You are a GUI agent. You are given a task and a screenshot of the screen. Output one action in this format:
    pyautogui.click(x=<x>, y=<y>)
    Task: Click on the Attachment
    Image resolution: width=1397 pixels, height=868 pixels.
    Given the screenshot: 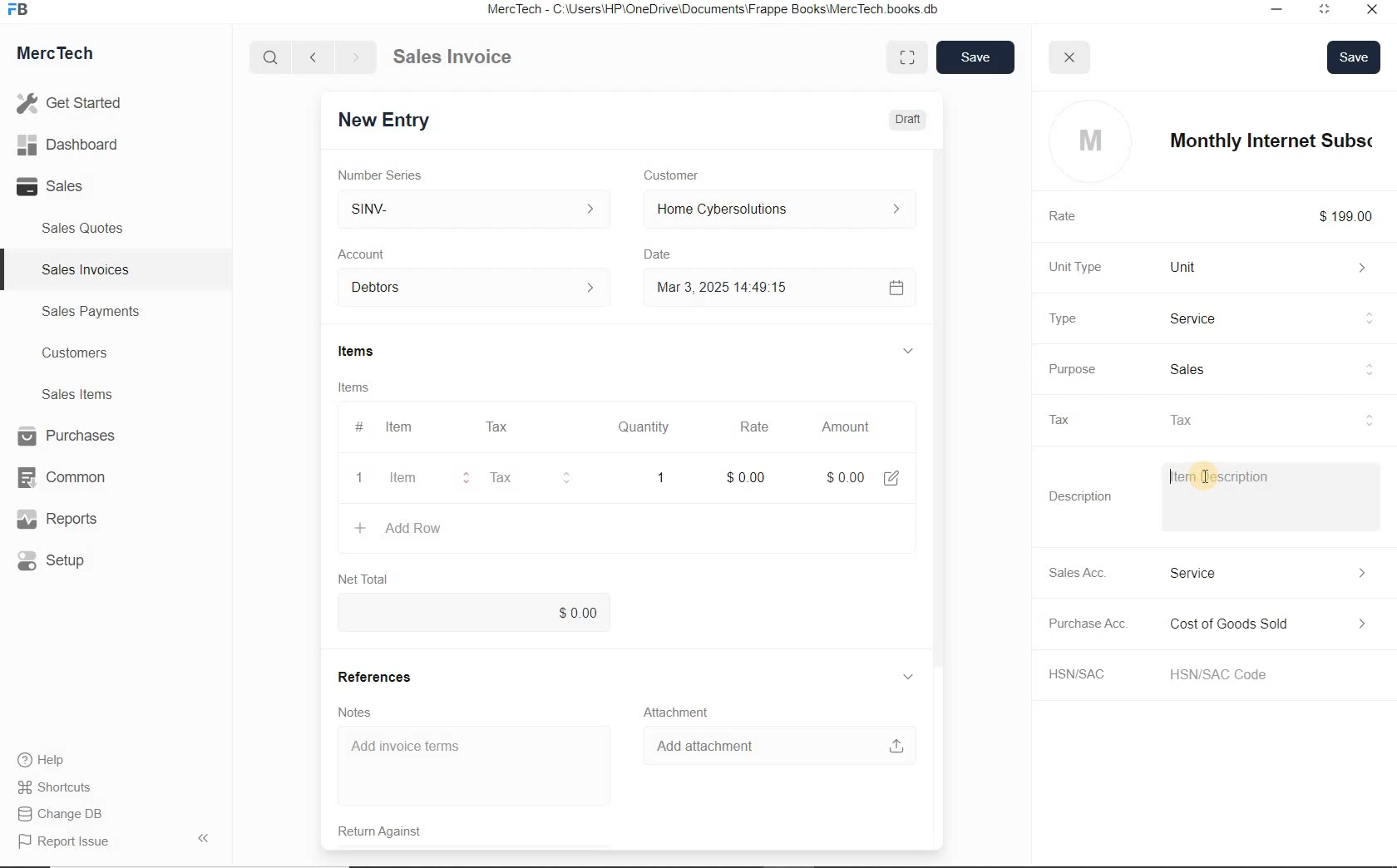 What is the action you would take?
    pyautogui.click(x=674, y=710)
    